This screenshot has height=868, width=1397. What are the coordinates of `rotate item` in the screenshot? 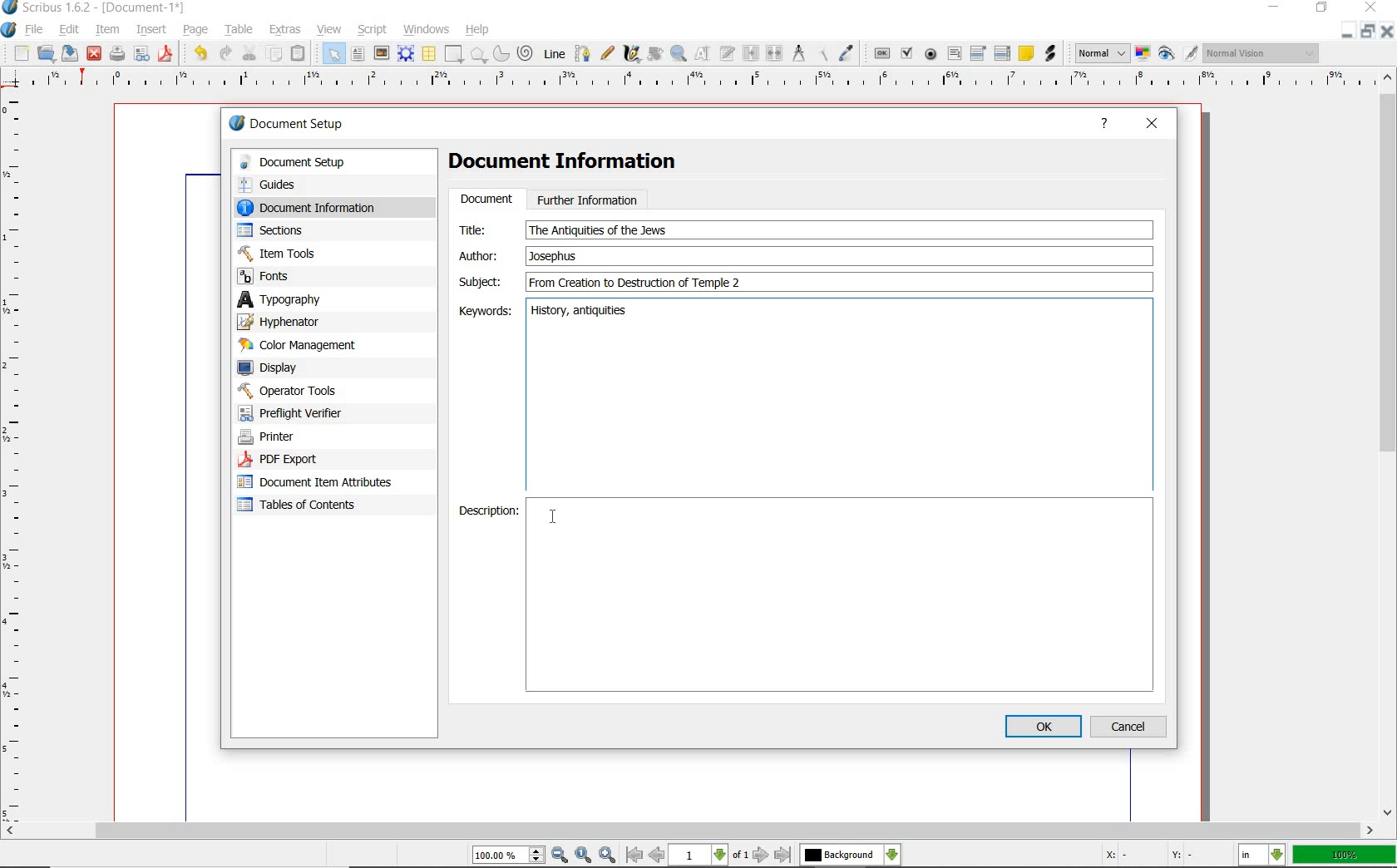 It's located at (655, 55).